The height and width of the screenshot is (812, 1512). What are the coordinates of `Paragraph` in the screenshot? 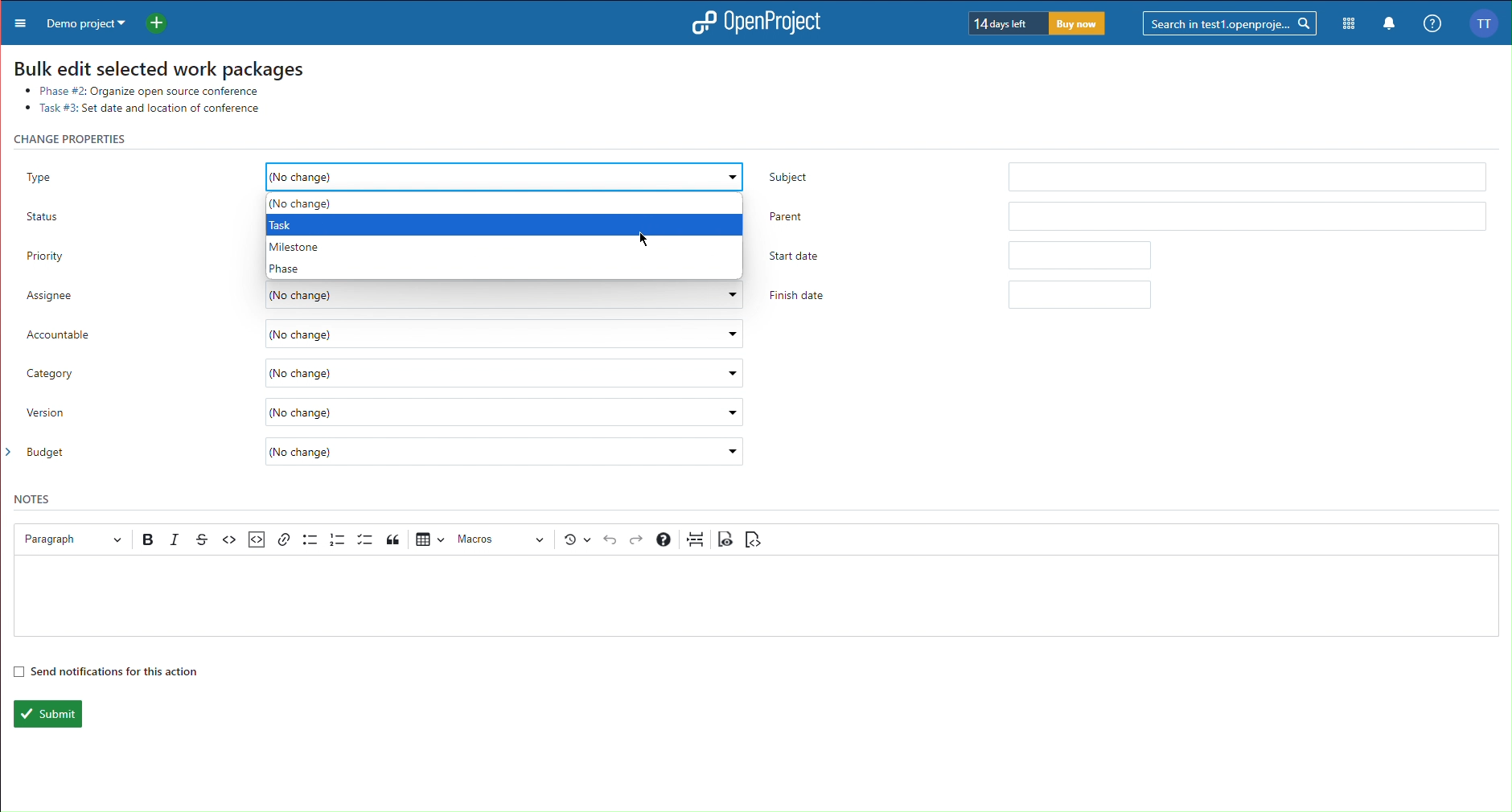 It's located at (68, 539).